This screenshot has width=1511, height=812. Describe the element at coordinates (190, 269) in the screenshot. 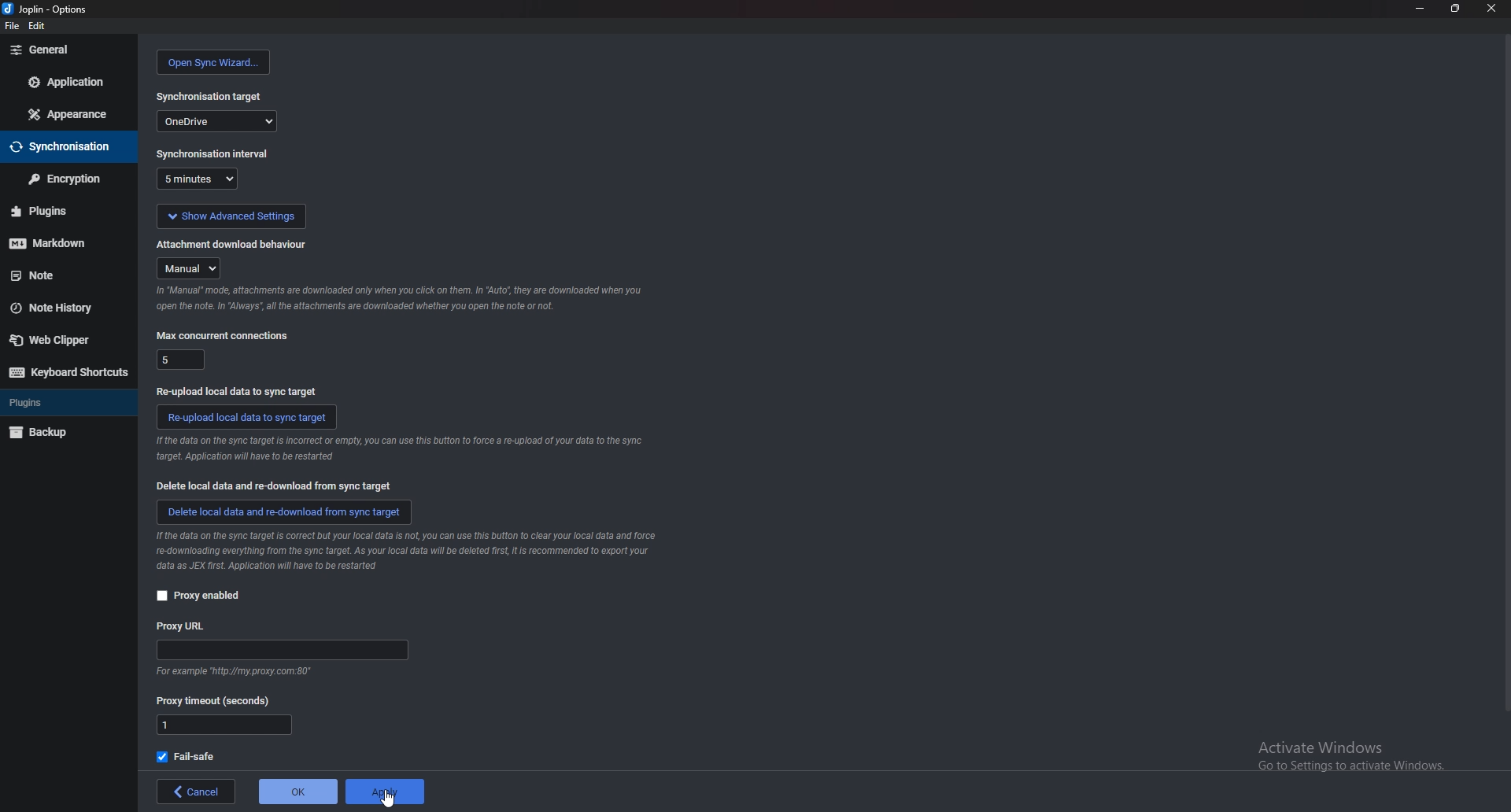

I see `always` at that location.